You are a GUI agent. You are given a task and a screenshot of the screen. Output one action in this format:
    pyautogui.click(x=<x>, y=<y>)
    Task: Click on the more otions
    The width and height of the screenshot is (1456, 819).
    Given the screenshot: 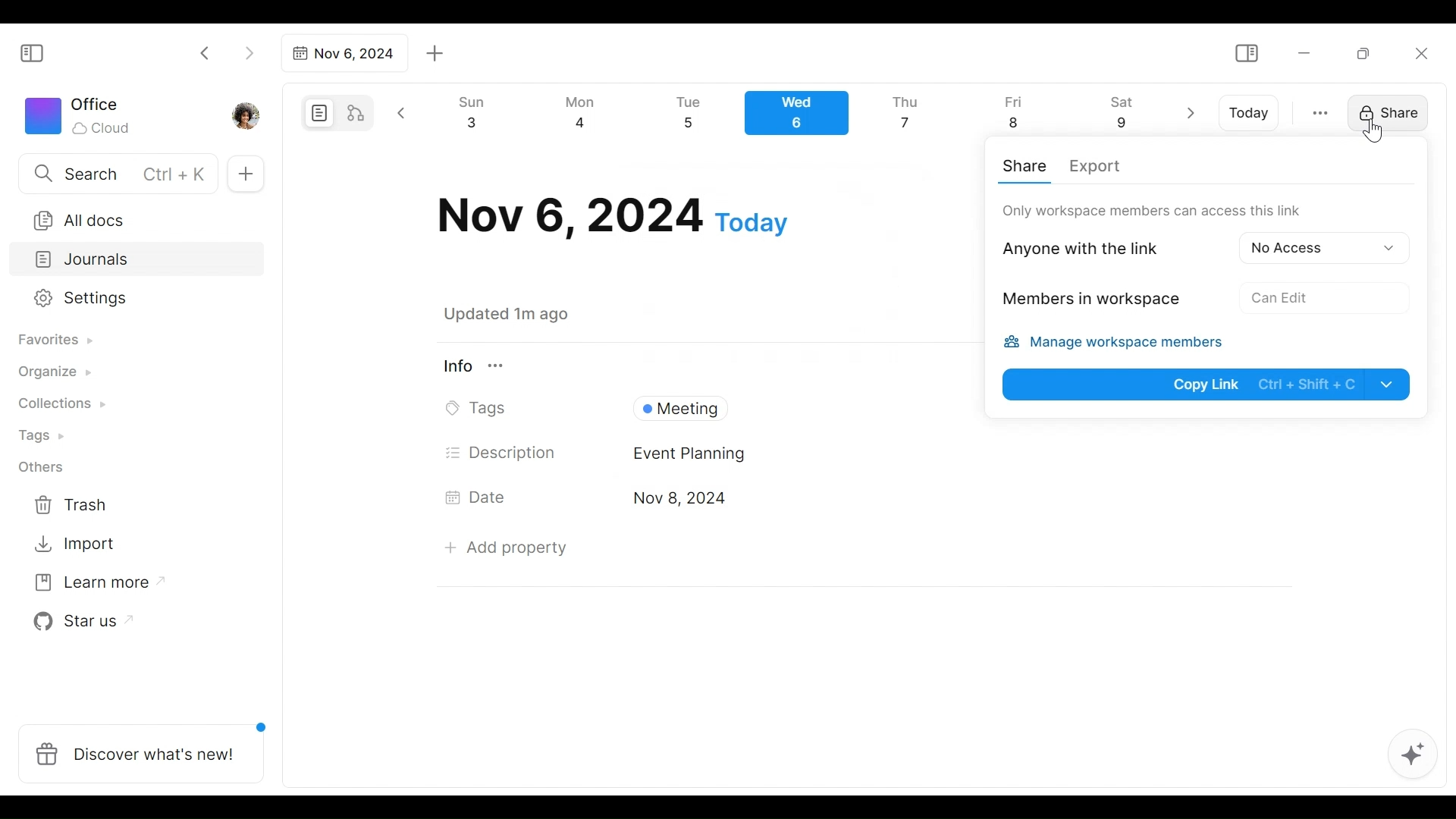 What is the action you would take?
    pyautogui.click(x=1320, y=111)
    